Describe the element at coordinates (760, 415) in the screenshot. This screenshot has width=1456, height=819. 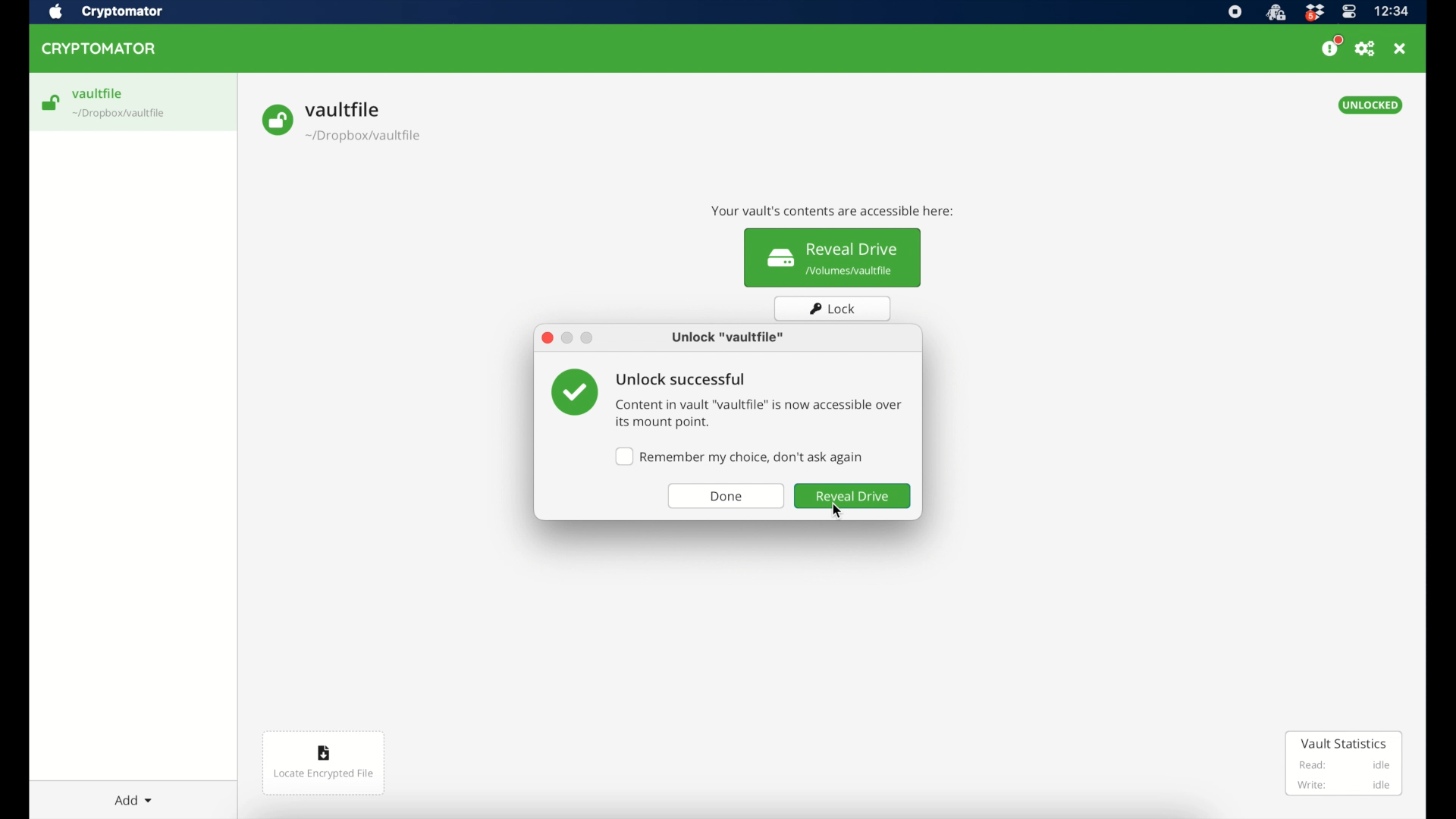
I see `Content in vault "vaultfile" is now accessible over its mount point.` at that location.